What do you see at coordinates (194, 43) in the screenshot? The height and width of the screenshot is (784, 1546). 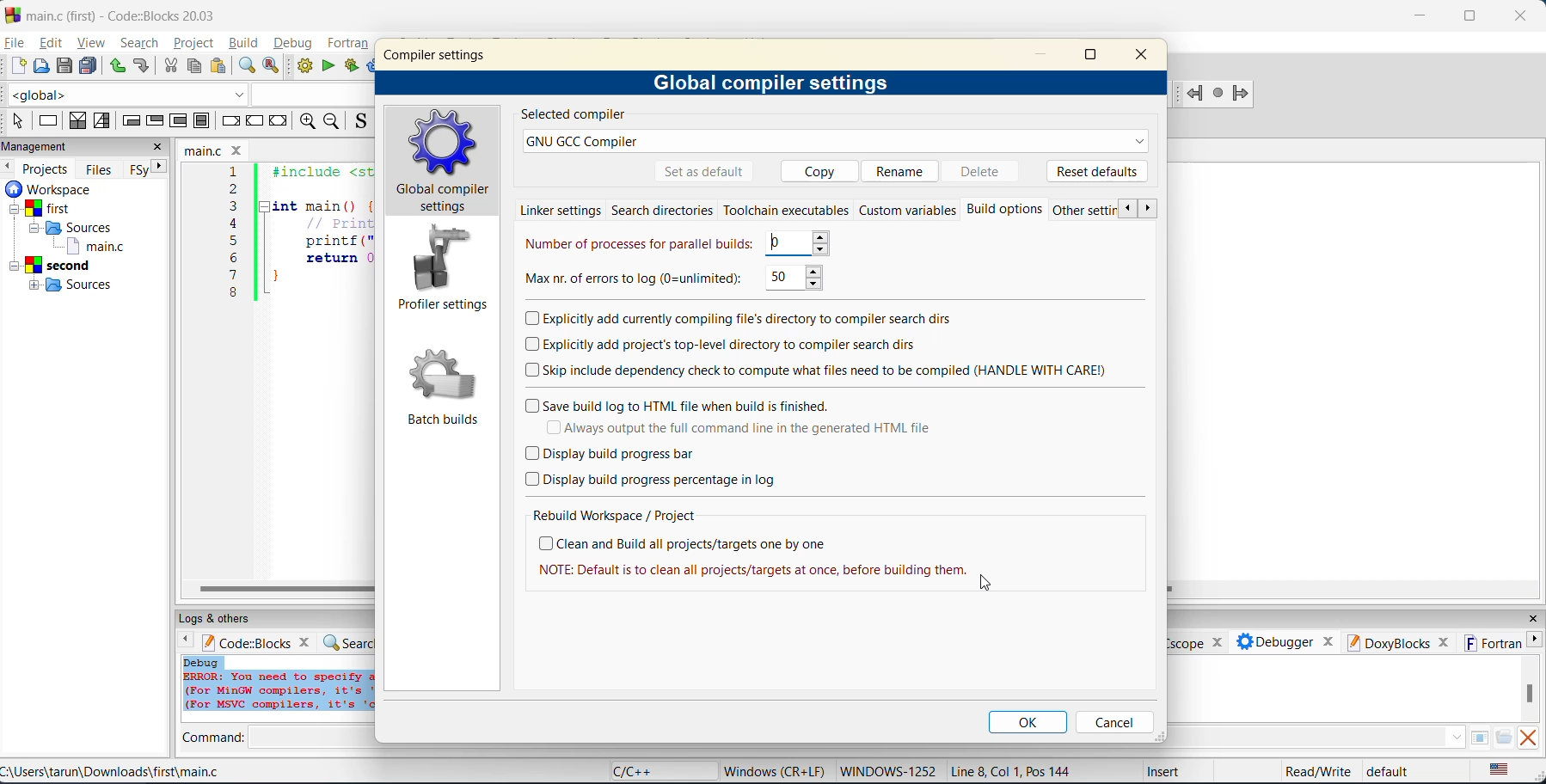 I see `project` at bounding box center [194, 43].